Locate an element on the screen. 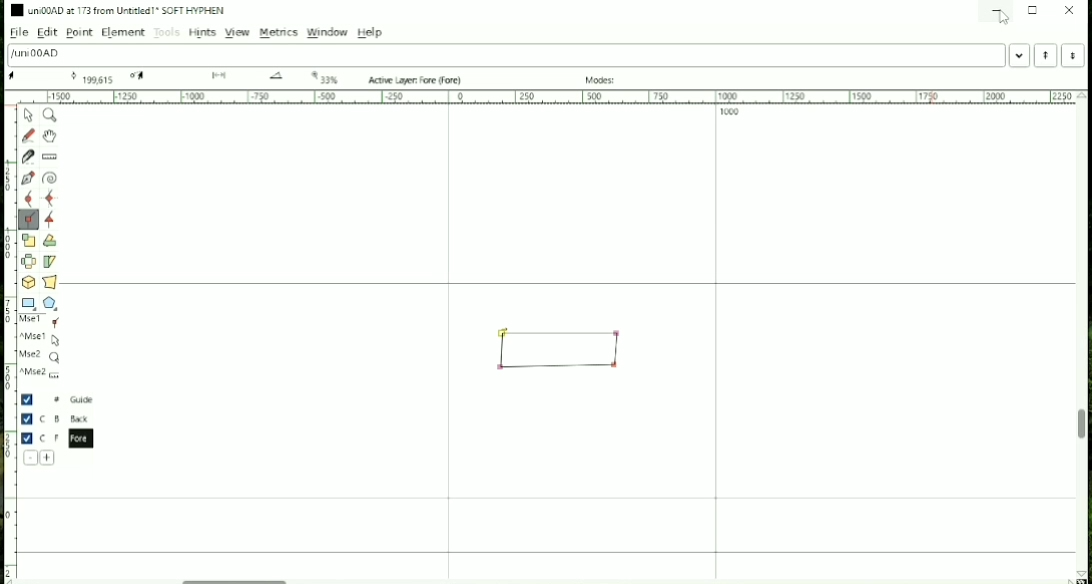  Maximize is located at coordinates (1033, 10).